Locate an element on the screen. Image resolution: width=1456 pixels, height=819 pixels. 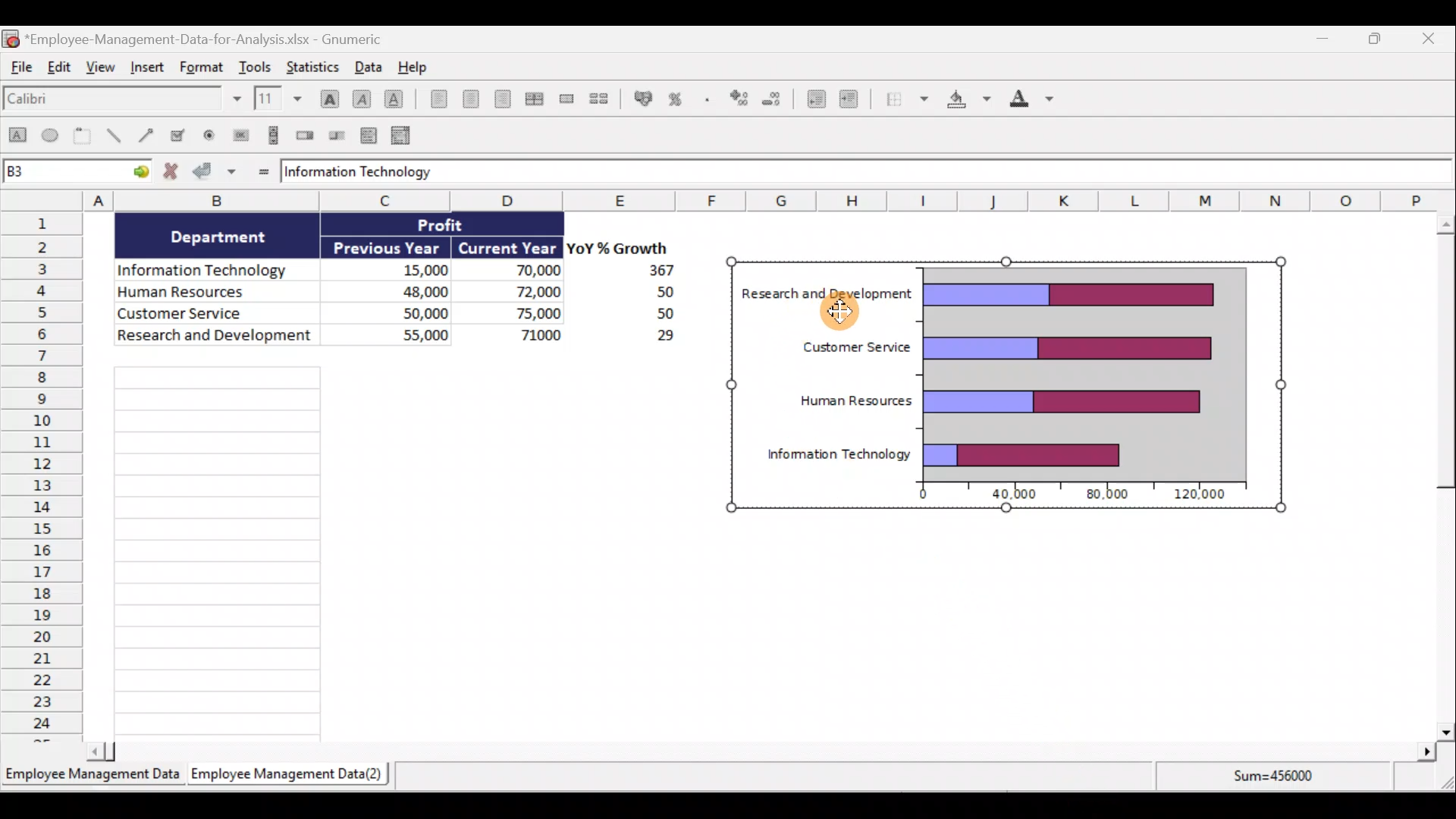
Merge a range of cells is located at coordinates (570, 99).